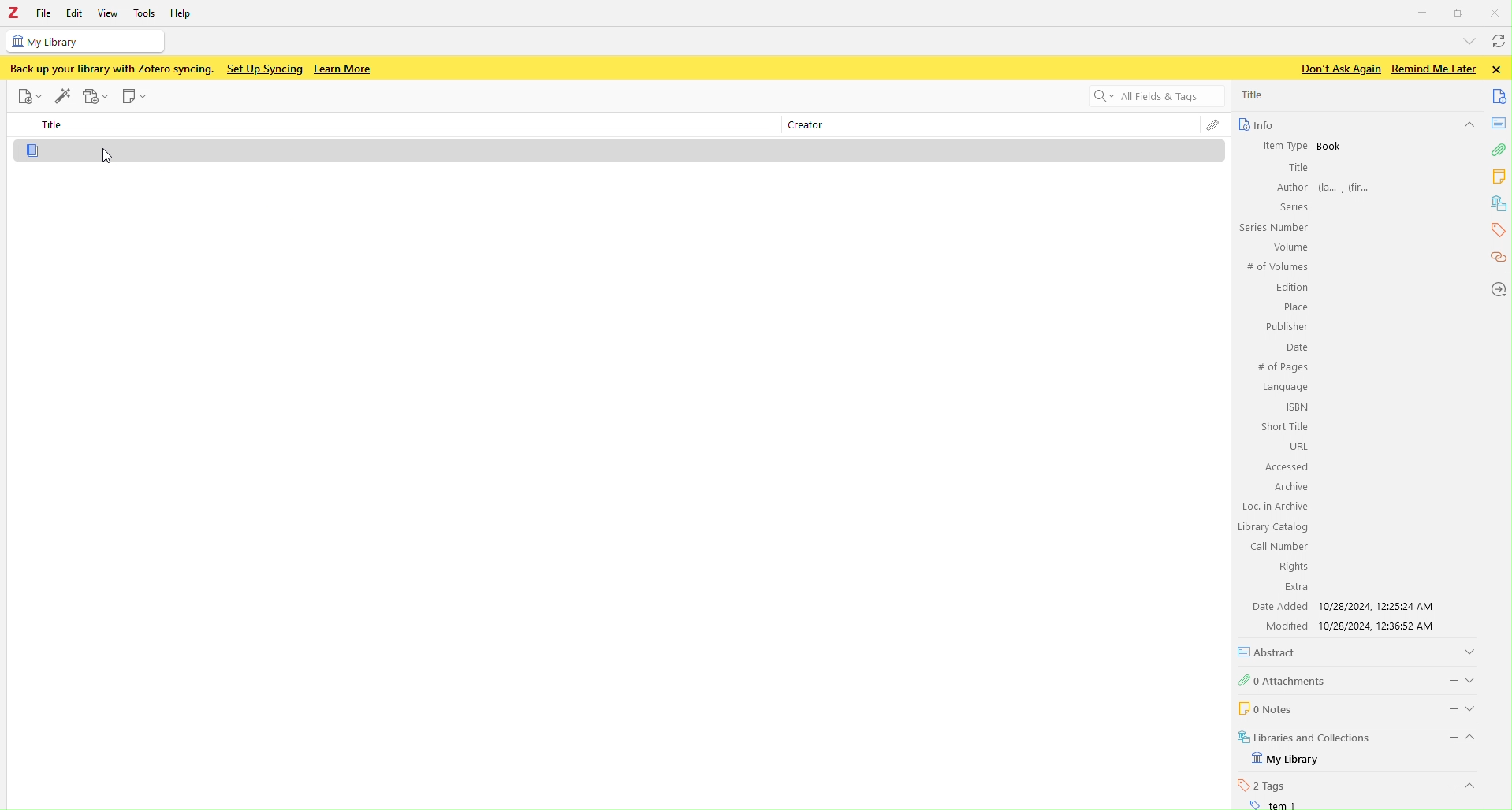  Describe the element at coordinates (1290, 187) in the screenshot. I see `Author` at that location.